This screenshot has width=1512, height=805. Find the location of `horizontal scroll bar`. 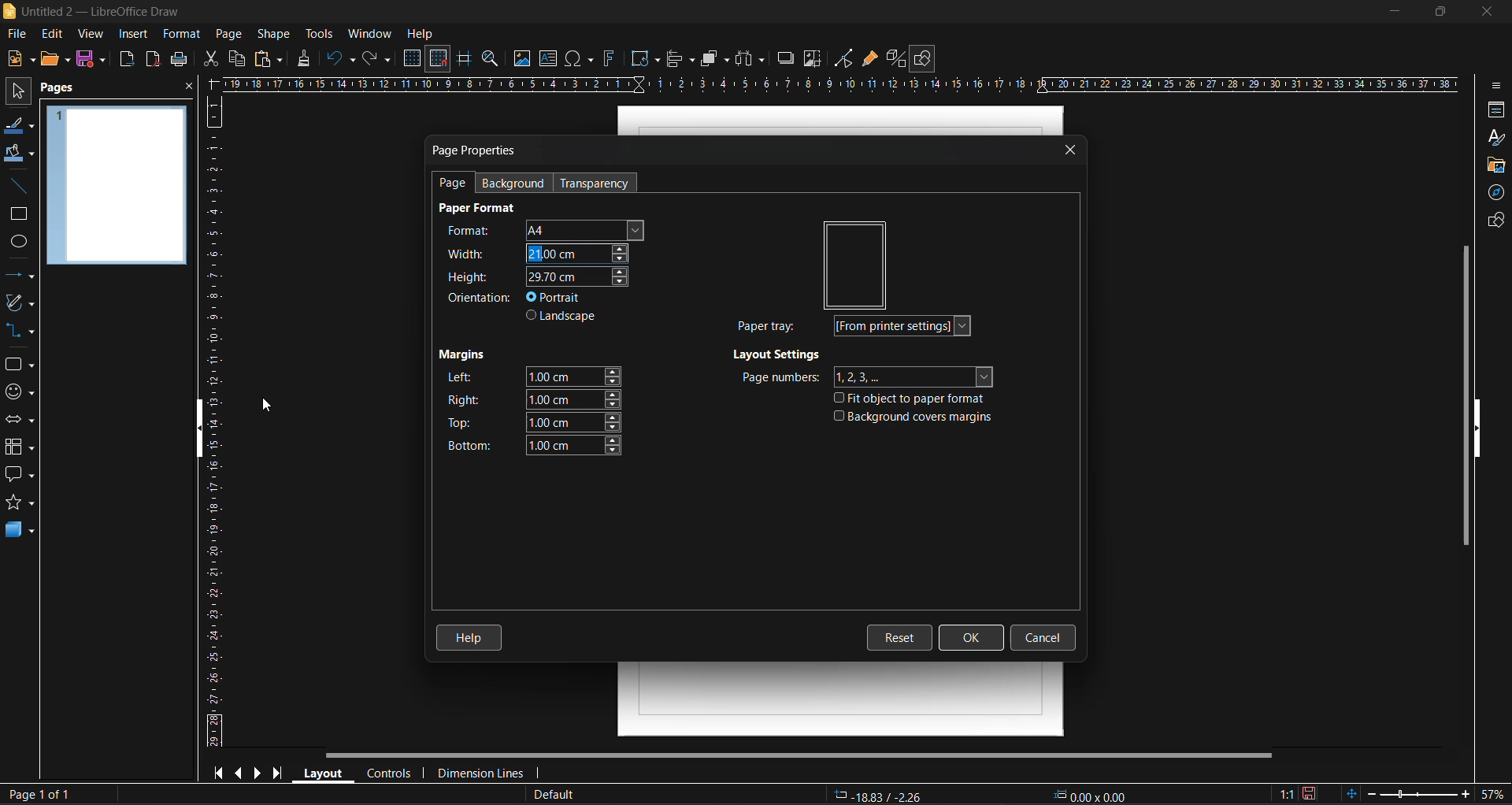

horizontal scroll bar is located at coordinates (801, 755).